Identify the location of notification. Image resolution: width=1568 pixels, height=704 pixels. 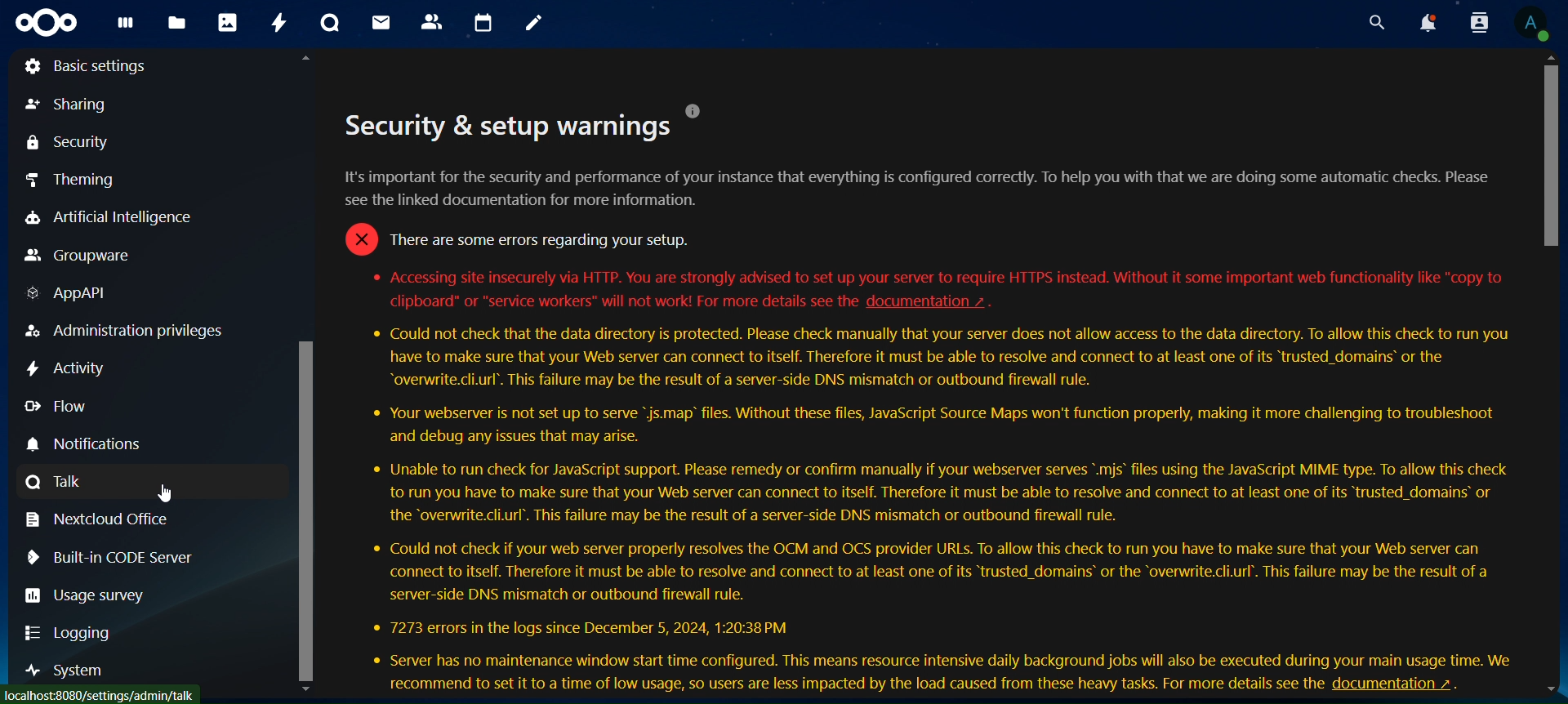
(100, 443).